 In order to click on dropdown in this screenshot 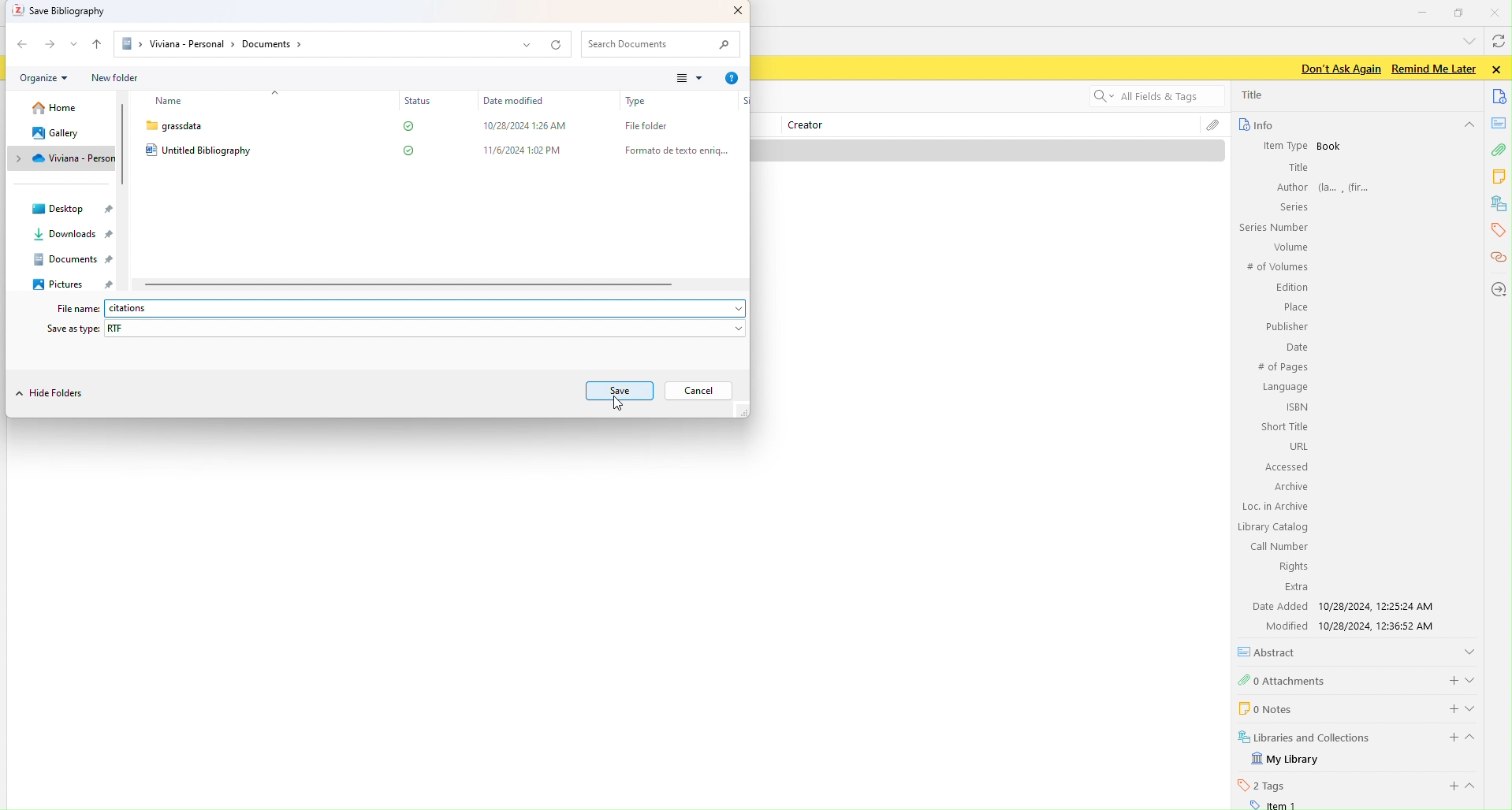, I will do `click(1466, 40)`.